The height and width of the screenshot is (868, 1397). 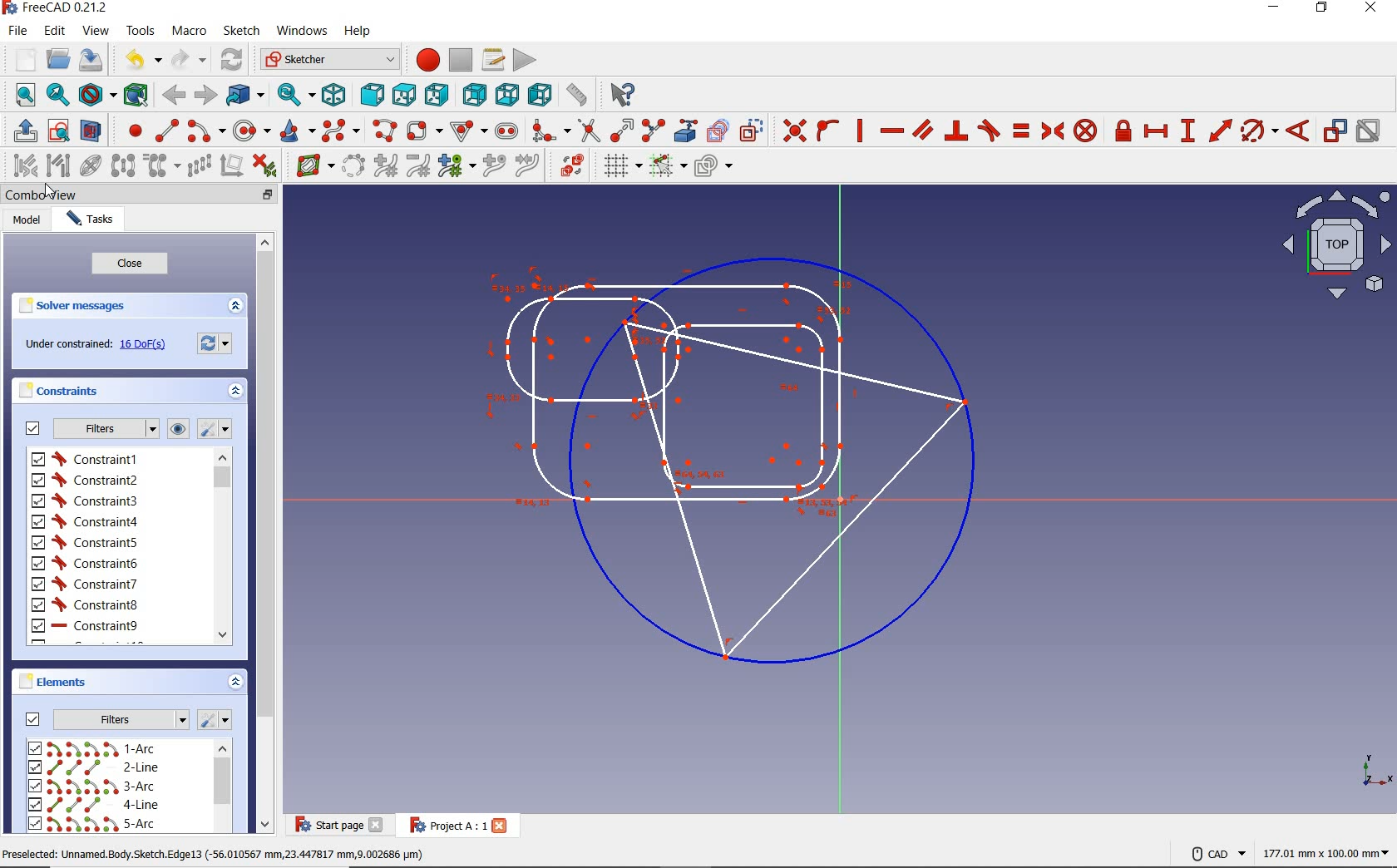 What do you see at coordinates (750, 130) in the screenshot?
I see `toggle construction geometry` at bounding box center [750, 130].